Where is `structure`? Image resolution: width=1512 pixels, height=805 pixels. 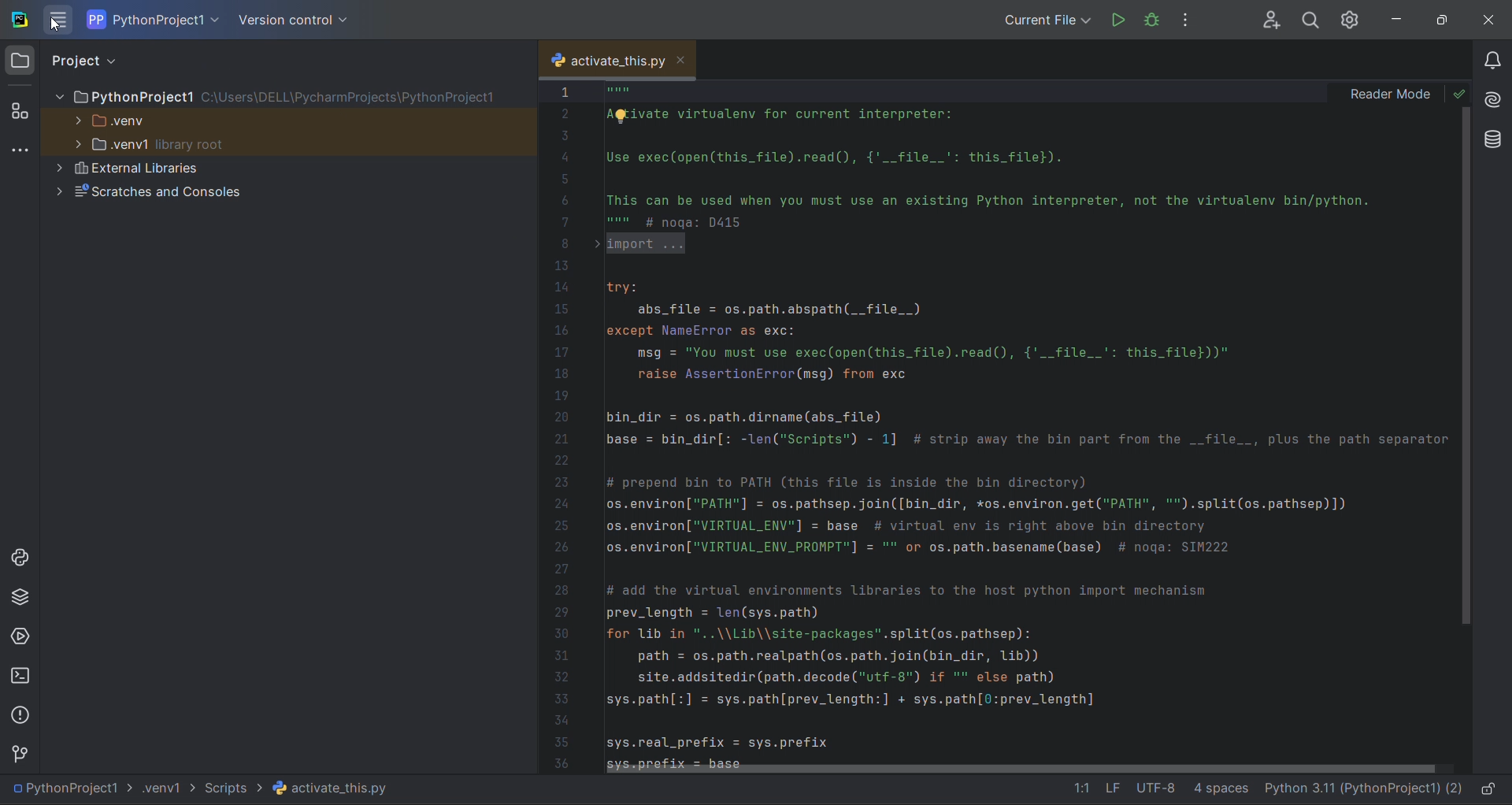
structure is located at coordinates (22, 108).